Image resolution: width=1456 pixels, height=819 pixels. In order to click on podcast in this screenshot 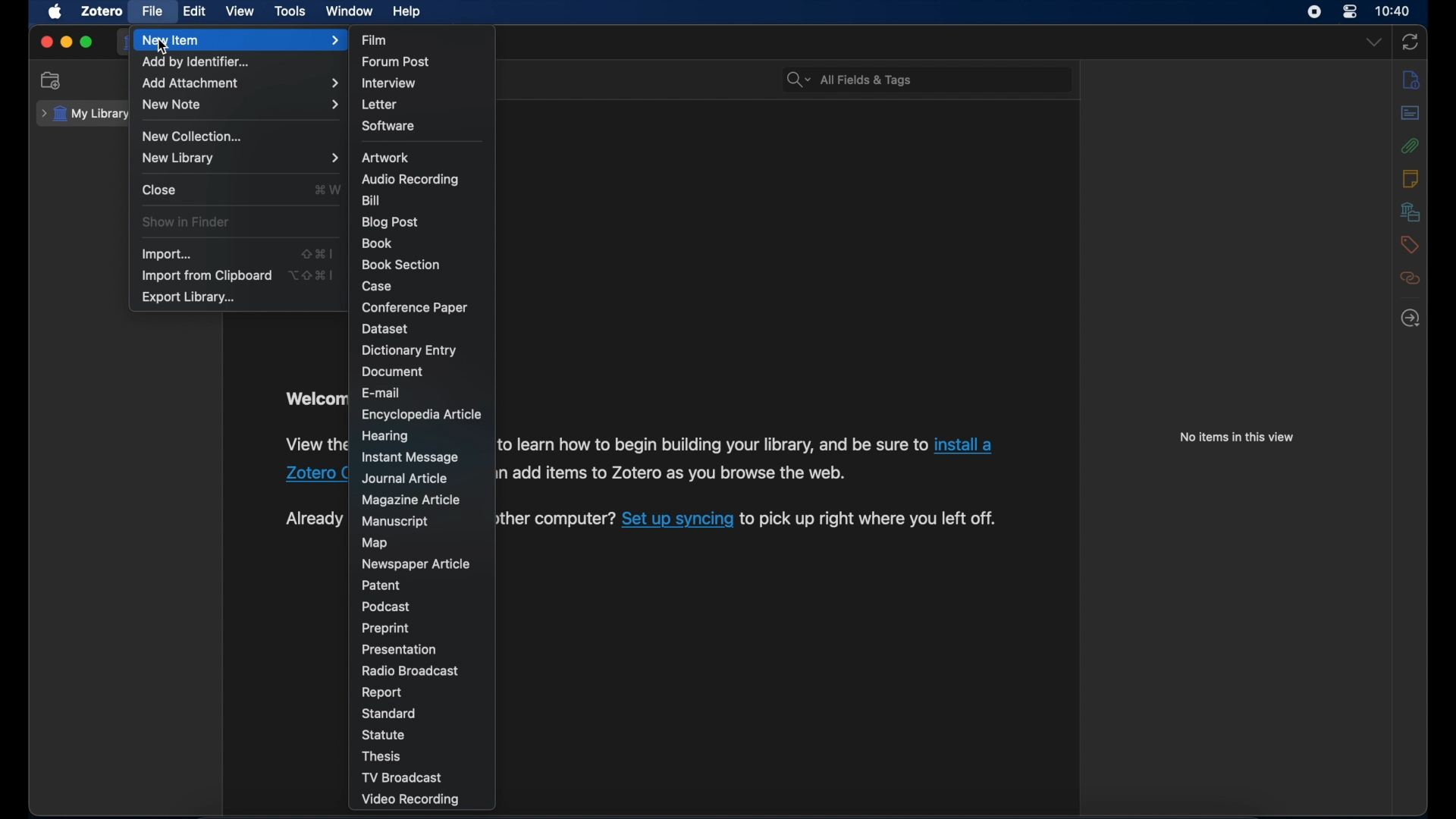, I will do `click(388, 607)`.